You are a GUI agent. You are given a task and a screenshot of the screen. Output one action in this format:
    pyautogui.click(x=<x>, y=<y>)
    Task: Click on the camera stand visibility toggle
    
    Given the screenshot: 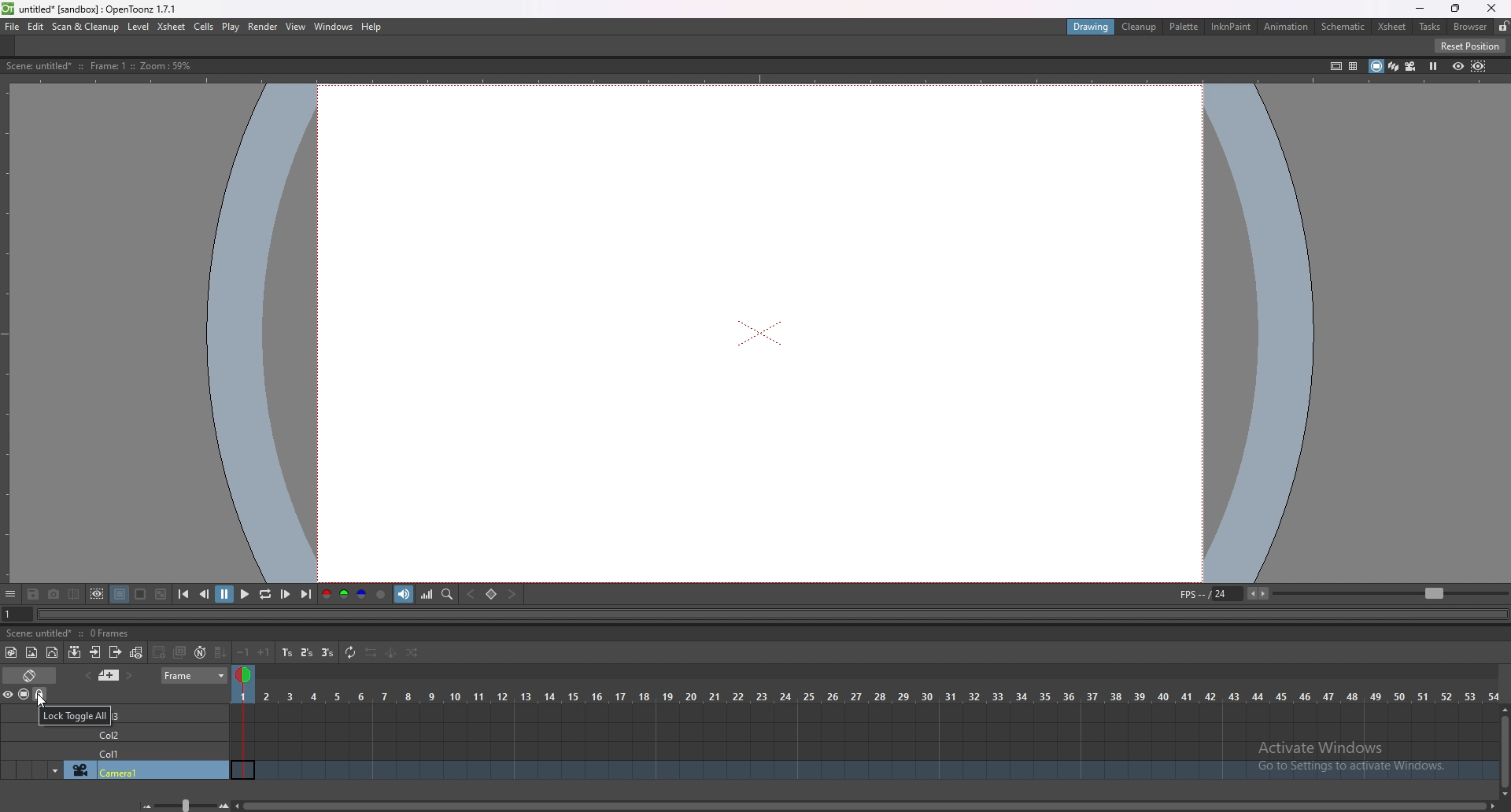 What is the action you would take?
    pyautogui.click(x=24, y=695)
    